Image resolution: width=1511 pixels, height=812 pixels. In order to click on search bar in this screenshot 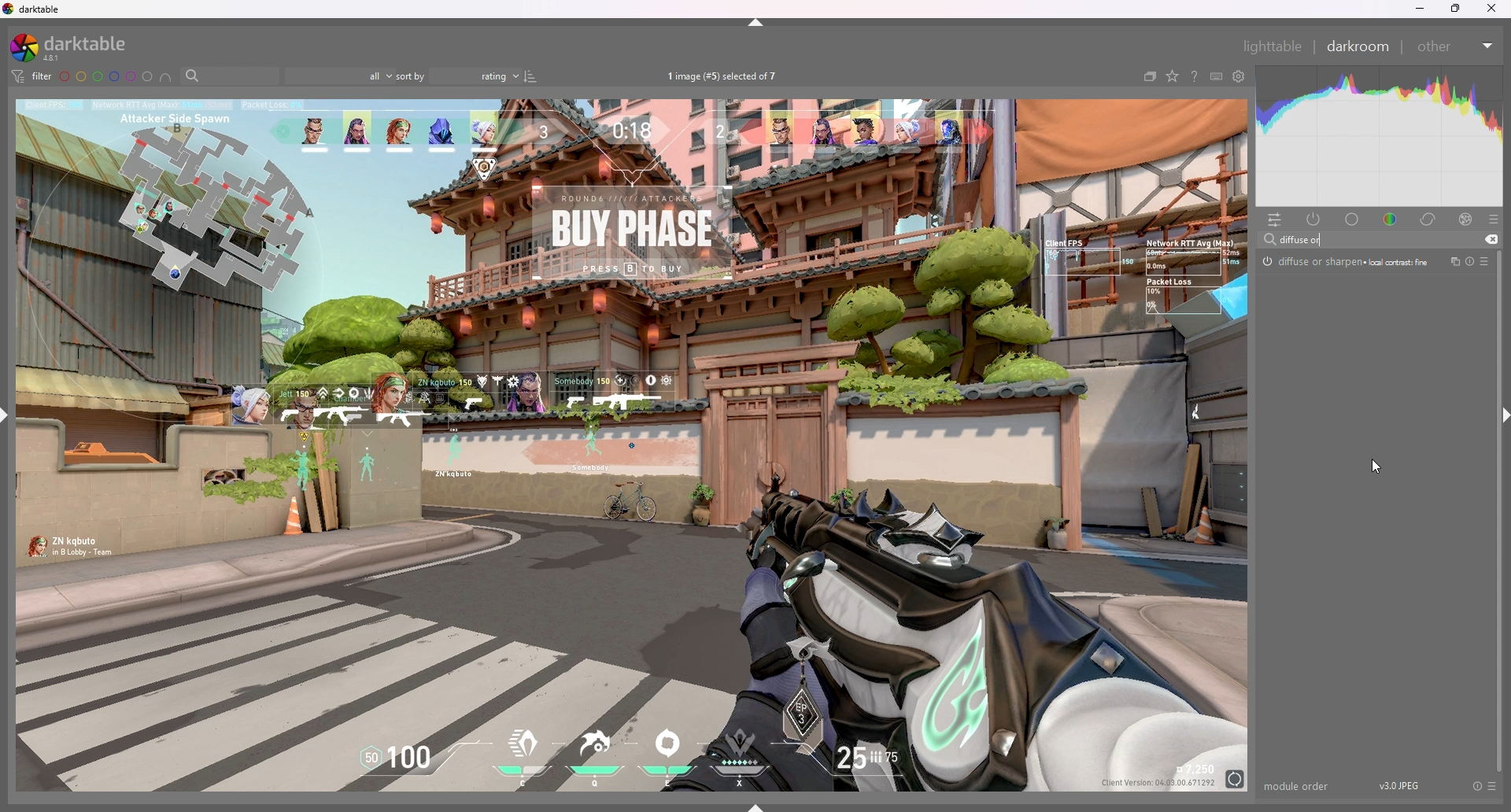, I will do `click(230, 76)`.